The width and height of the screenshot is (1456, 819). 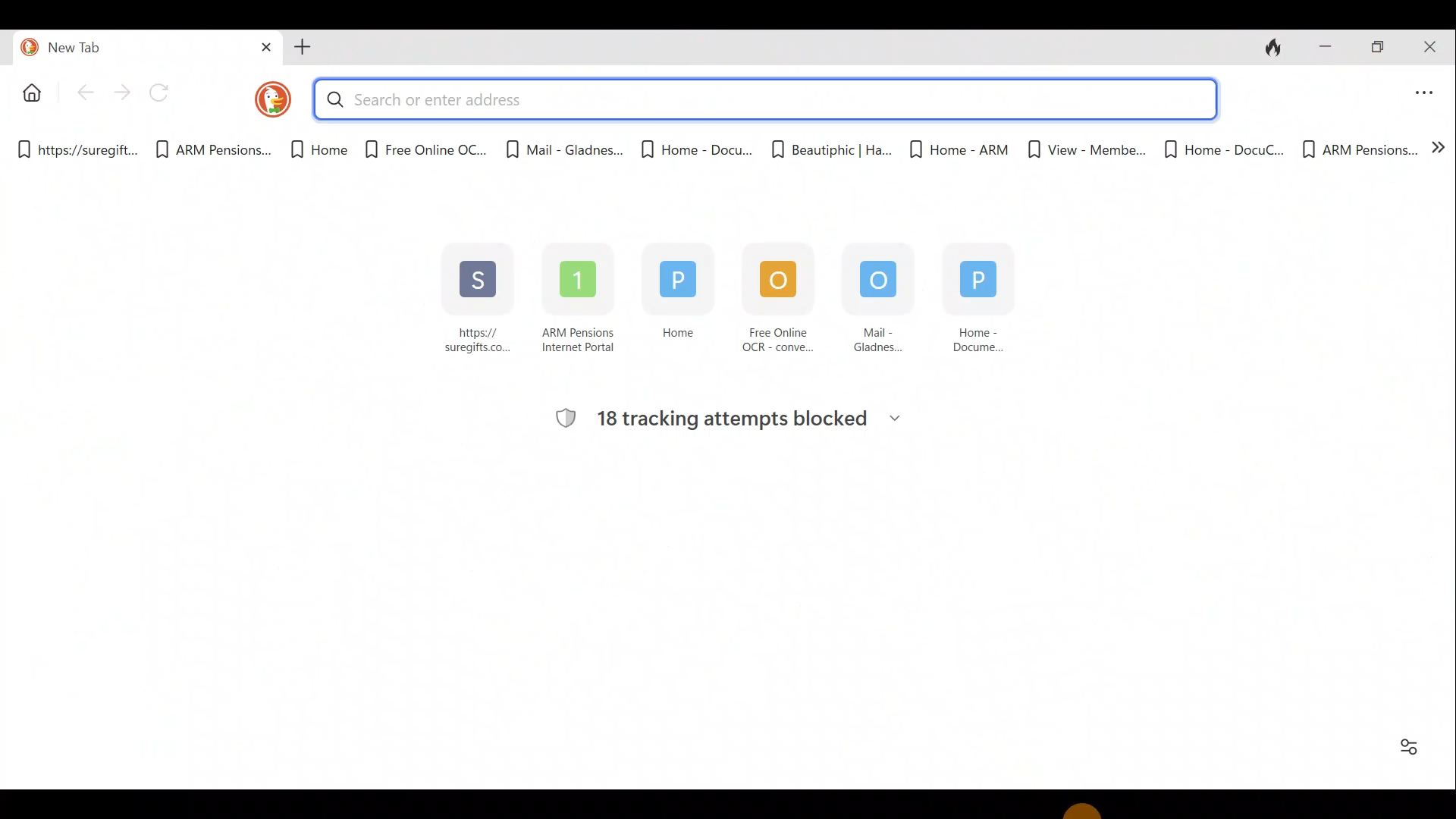 I want to click on 18 tracking attempts blocked ~~
PAST 7 DAYS, so click(x=759, y=422).